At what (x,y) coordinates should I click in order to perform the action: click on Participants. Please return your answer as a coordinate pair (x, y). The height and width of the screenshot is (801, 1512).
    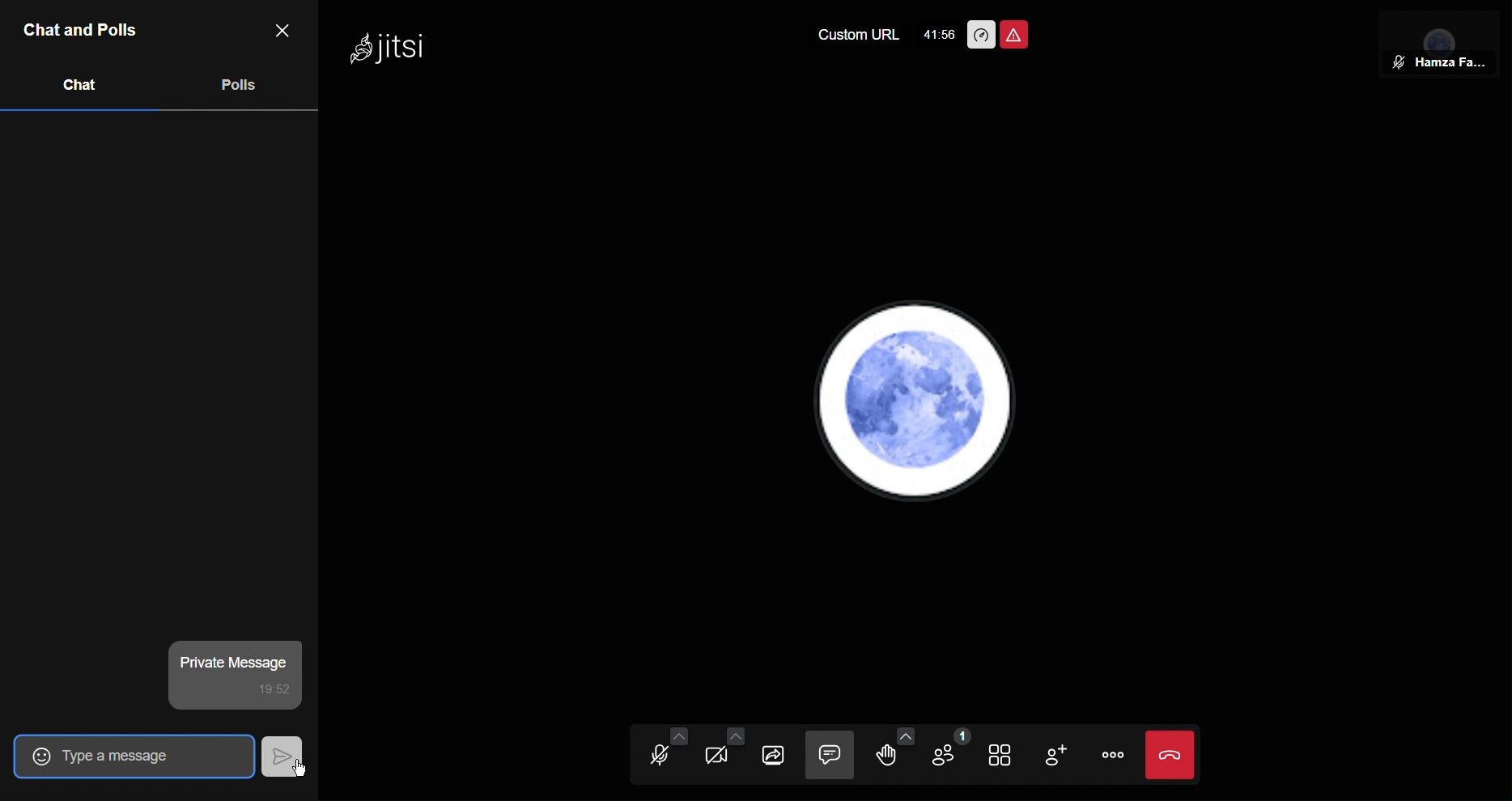
    Looking at the image, I should click on (950, 752).